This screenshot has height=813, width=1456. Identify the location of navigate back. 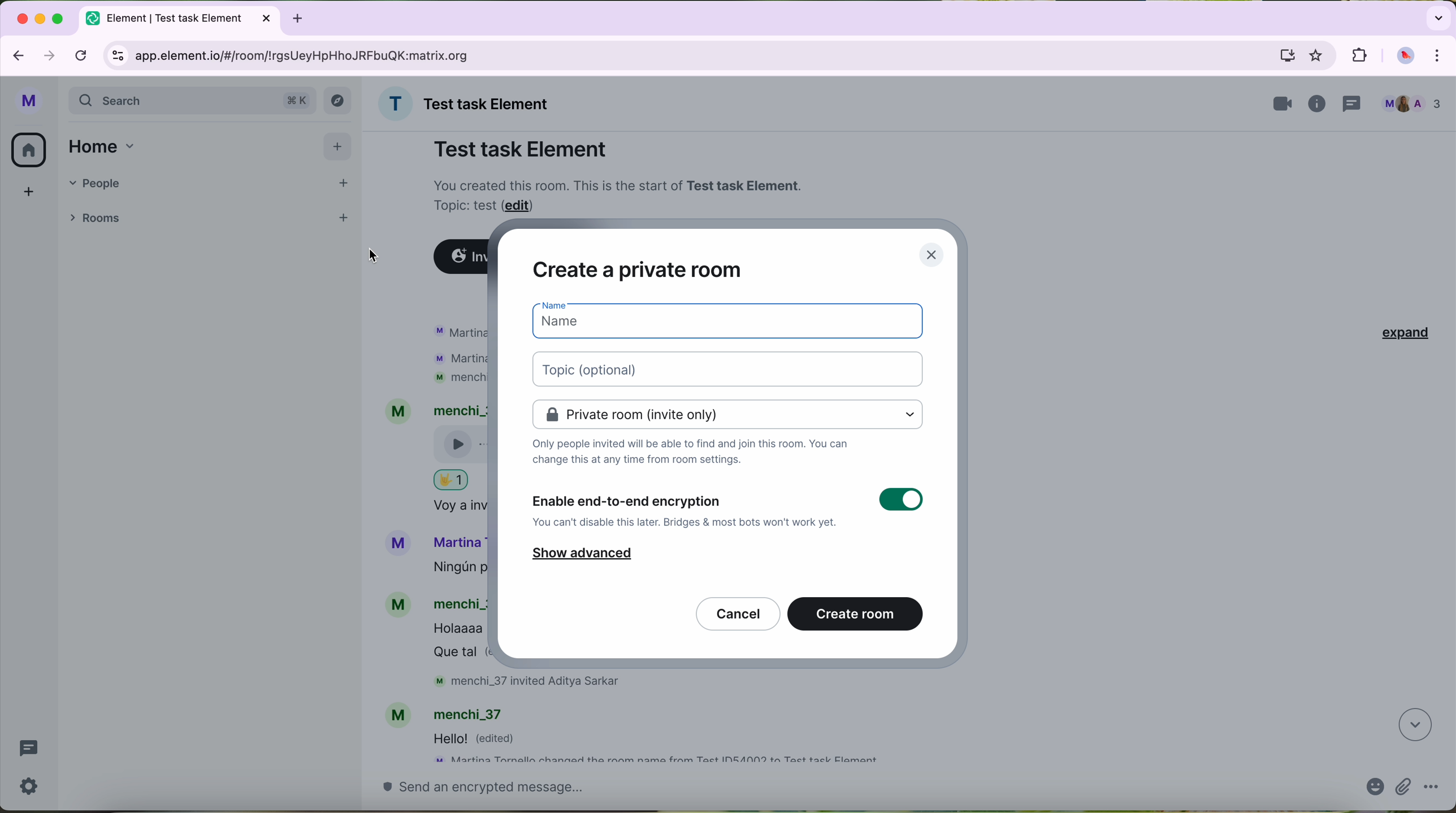
(15, 53).